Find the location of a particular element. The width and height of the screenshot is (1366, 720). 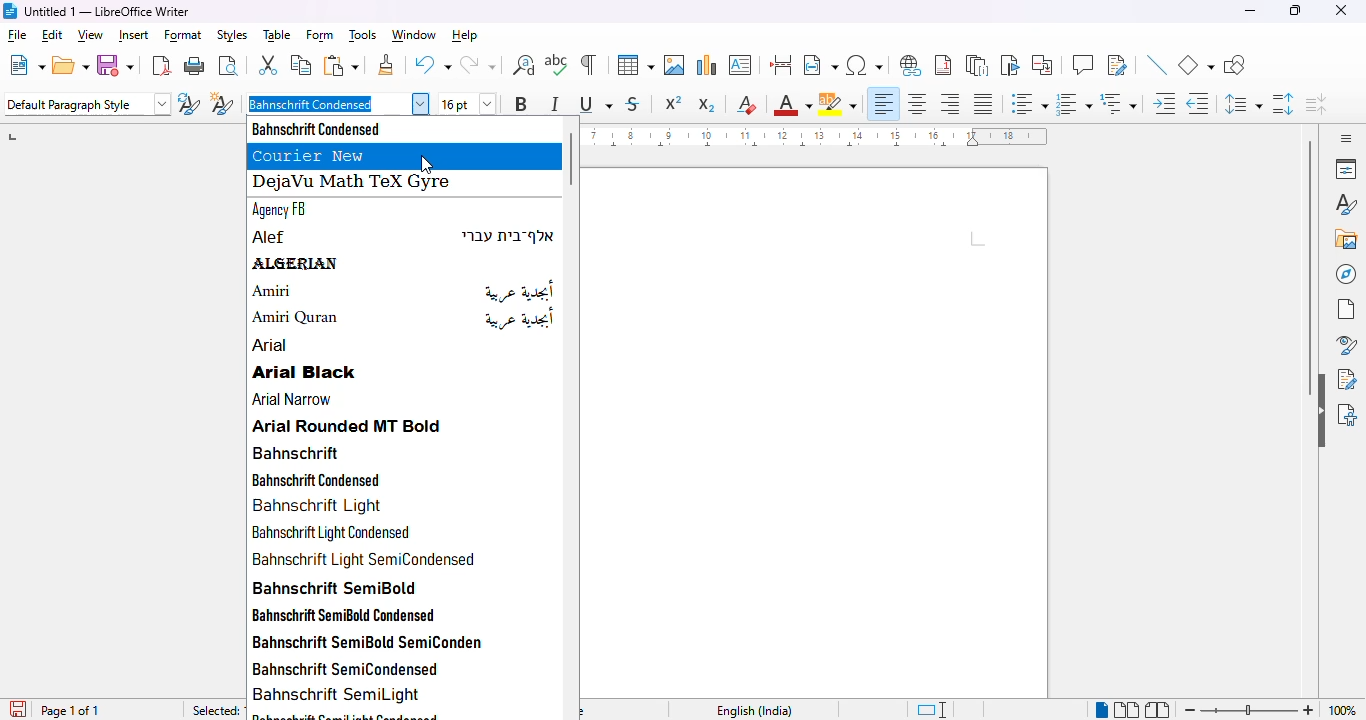

find and replace is located at coordinates (524, 65).